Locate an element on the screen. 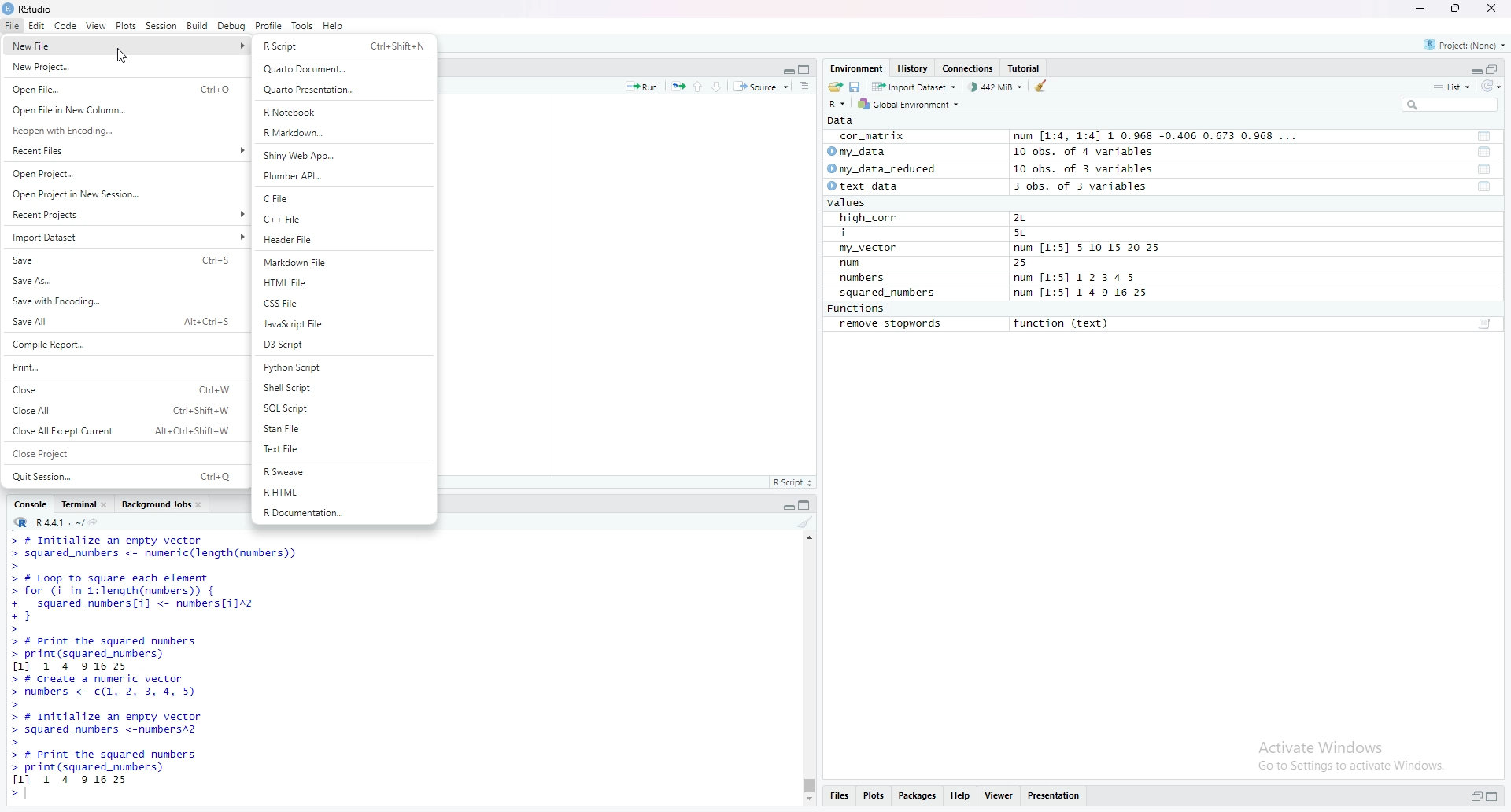 Image resolution: width=1511 pixels, height=812 pixels. minimize is located at coordinates (785, 70).